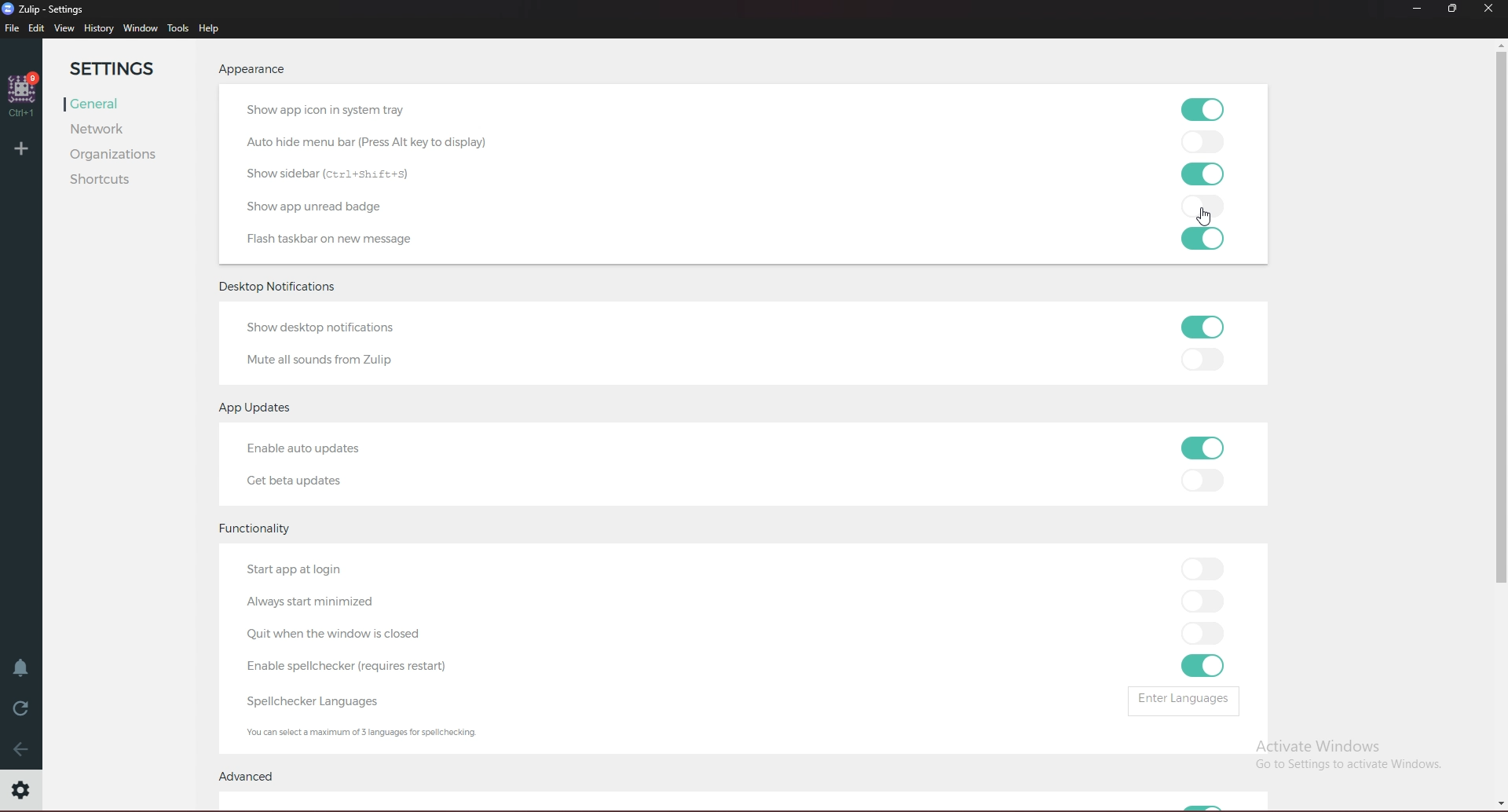 This screenshot has height=812, width=1508. Describe the element at coordinates (178, 29) in the screenshot. I see `Tools` at that location.